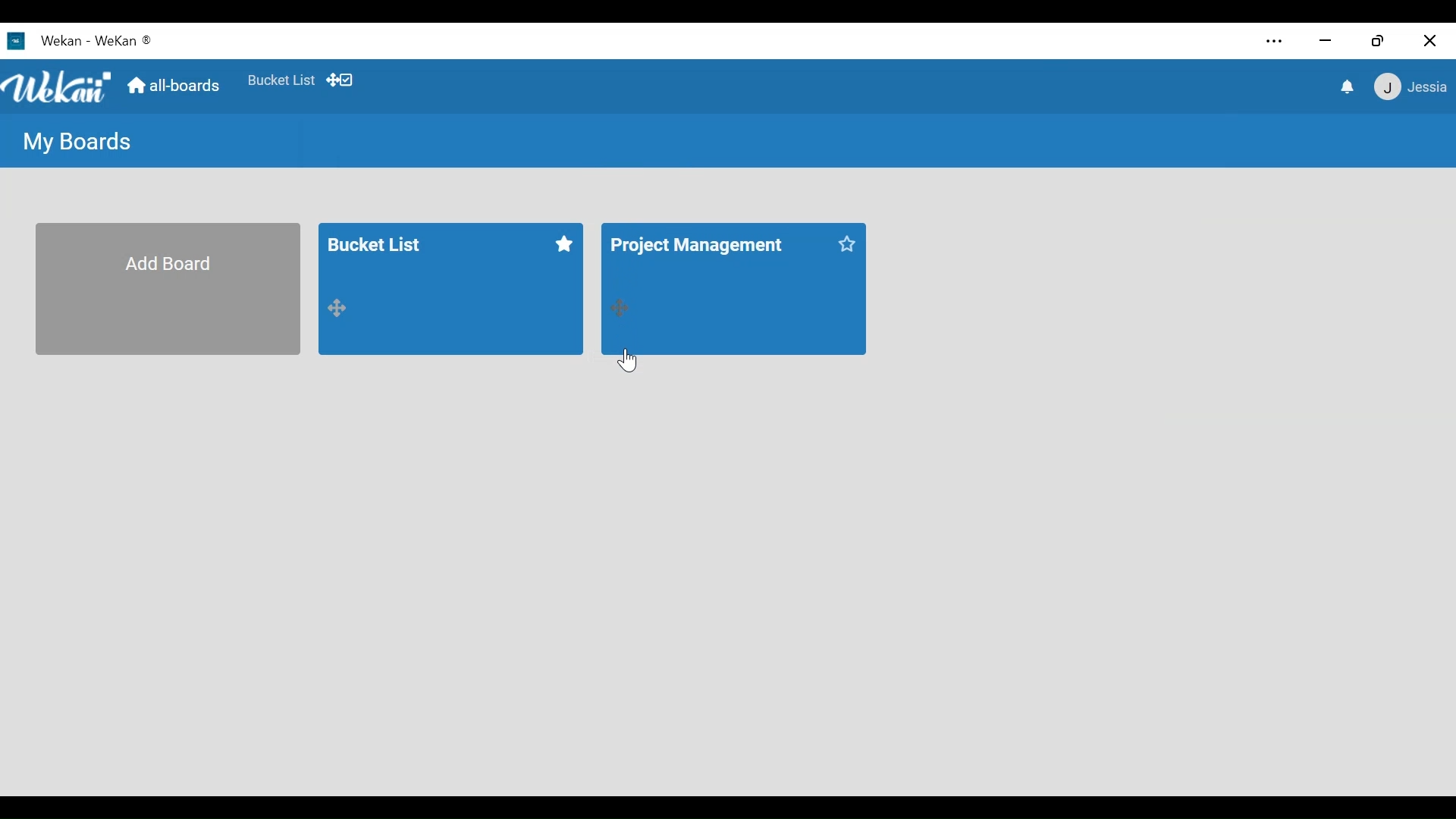  What do you see at coordinates (629, 359) in the screenshot?
I see `Cursor` at bounding box center [629, 359].